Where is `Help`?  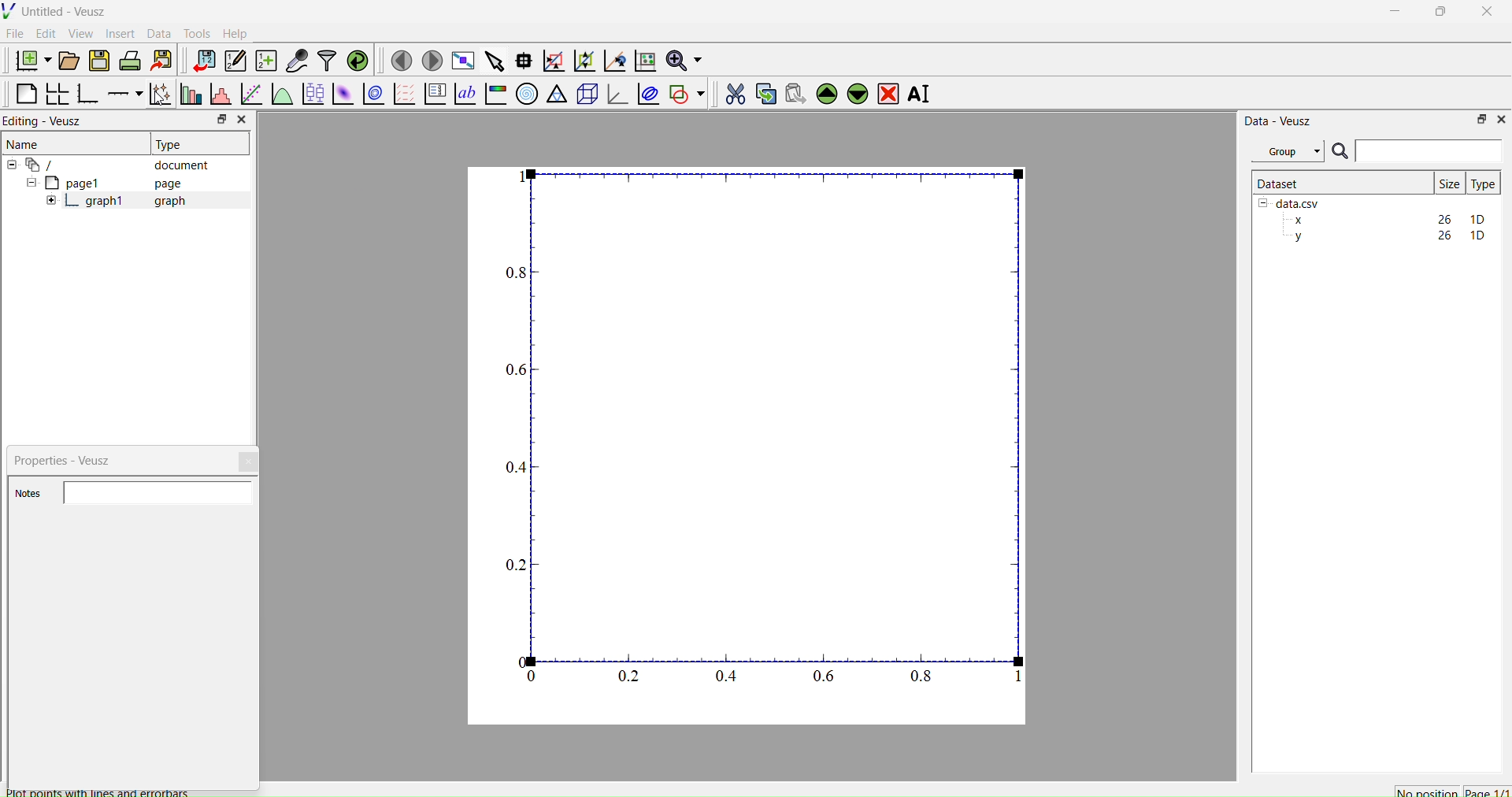 Help is located at coordinates (233, 33).